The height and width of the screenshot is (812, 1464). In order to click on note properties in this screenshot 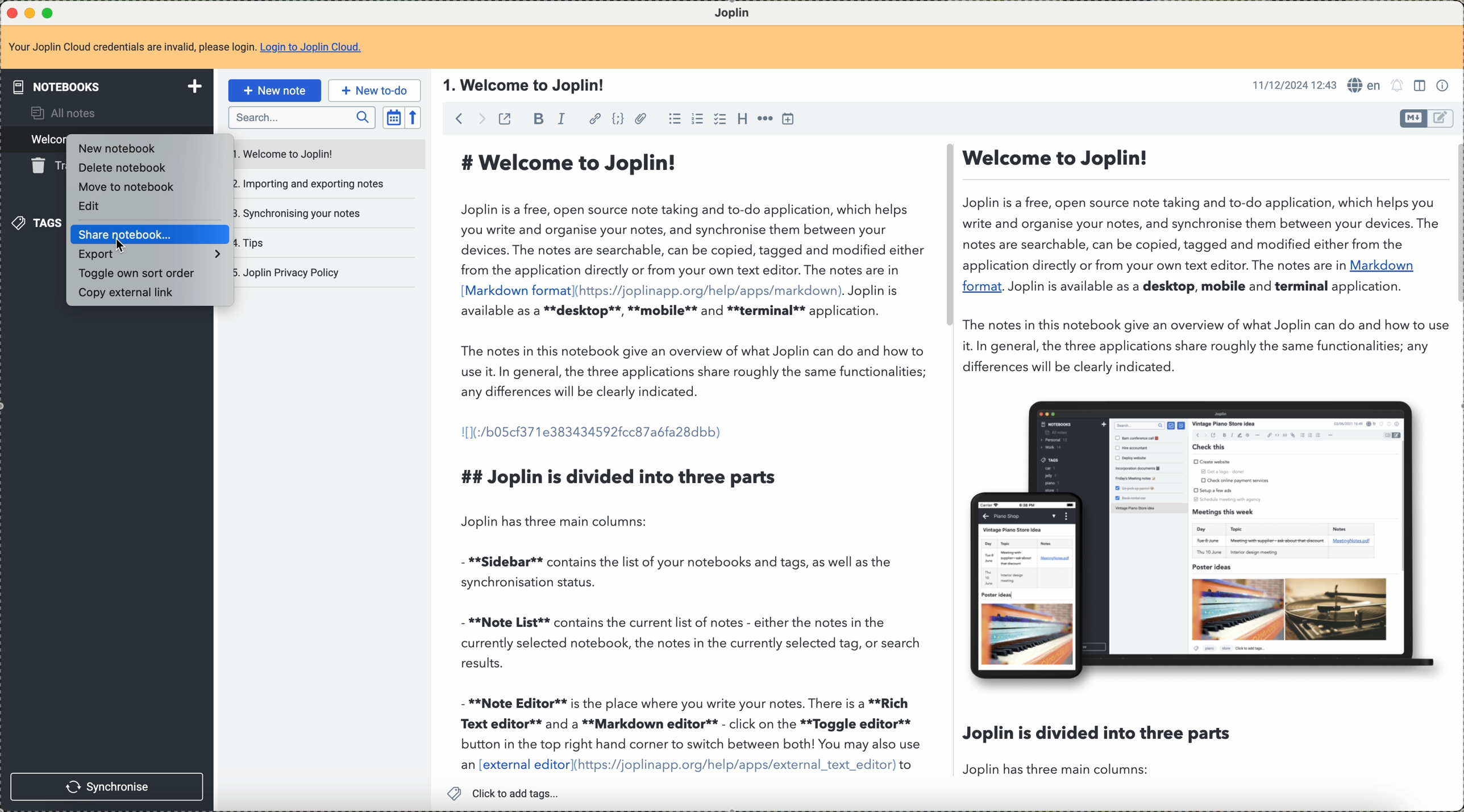, I will do `click(1444, 86)`.